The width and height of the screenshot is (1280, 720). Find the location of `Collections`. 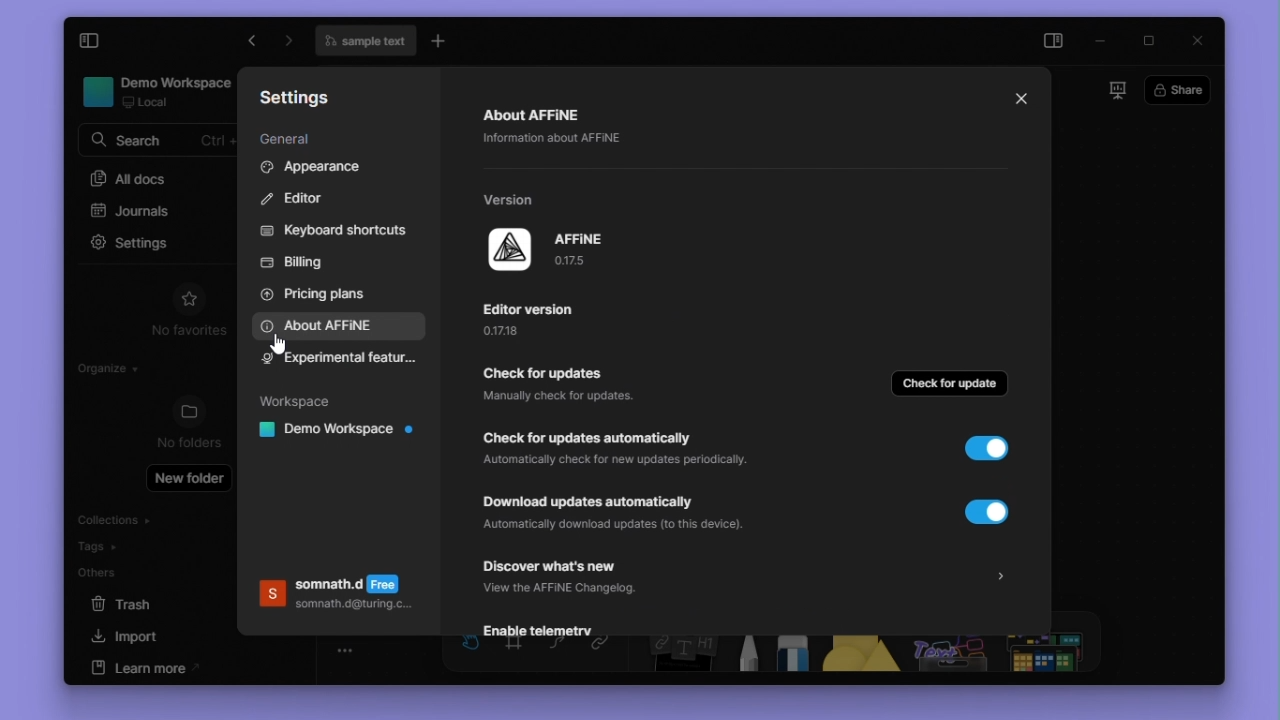

Collections is located at coordinates (142, 520).